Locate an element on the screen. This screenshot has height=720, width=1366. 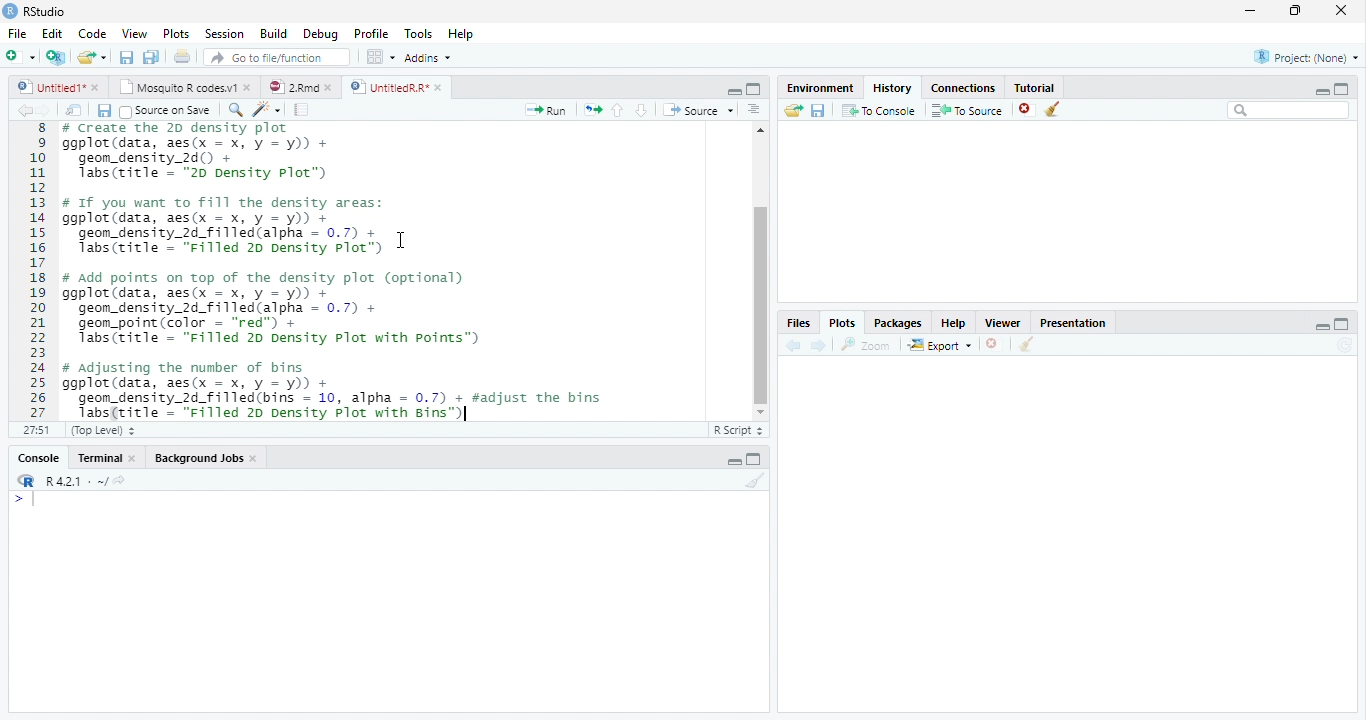
Scrollbar up is located at coordinates (758, 130).